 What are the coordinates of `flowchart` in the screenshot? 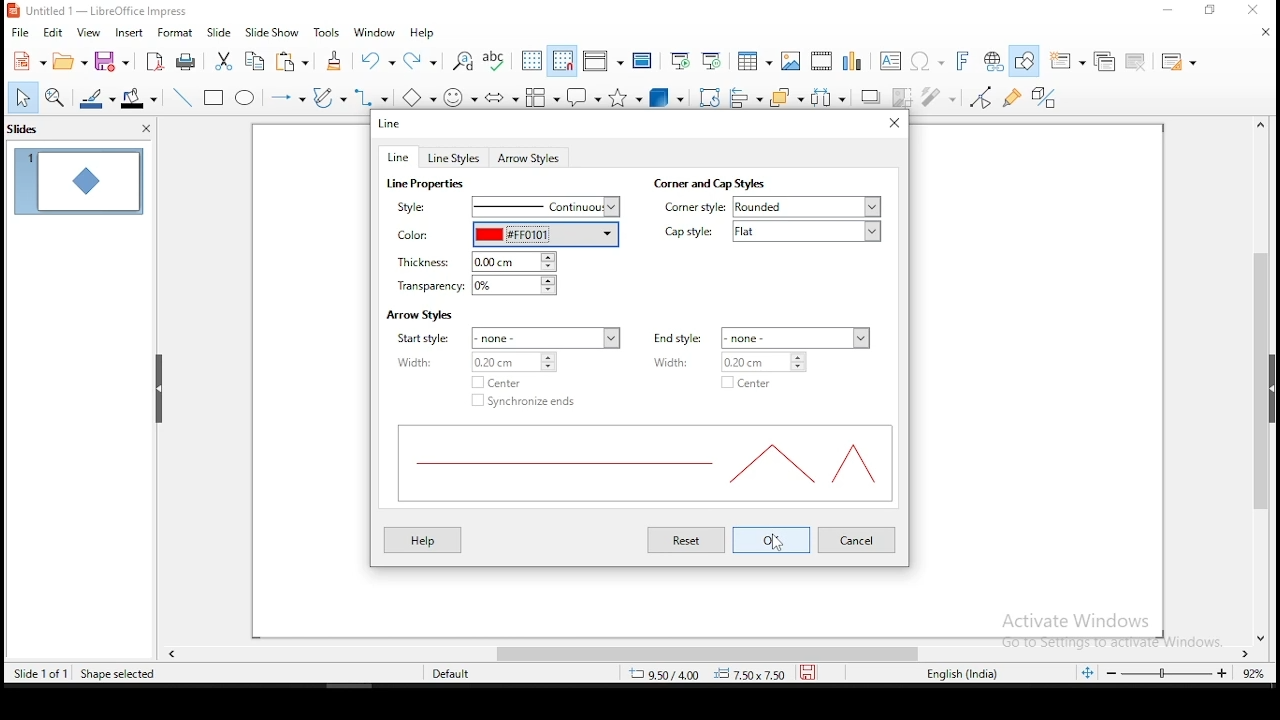 It's located at (543, 97).